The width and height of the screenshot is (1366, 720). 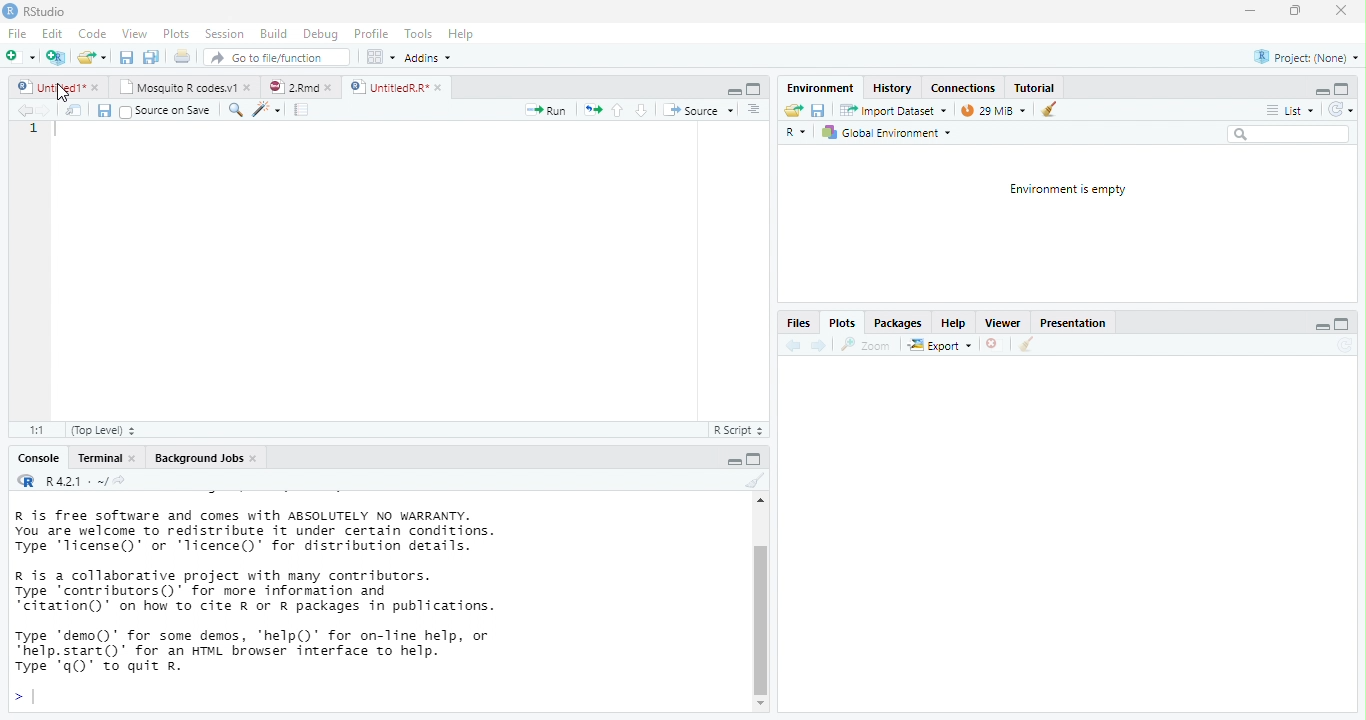 What do you see at coordinates (992, 110) in the screenshot?
I see `28 MiB` at bounding box center [992, 110].